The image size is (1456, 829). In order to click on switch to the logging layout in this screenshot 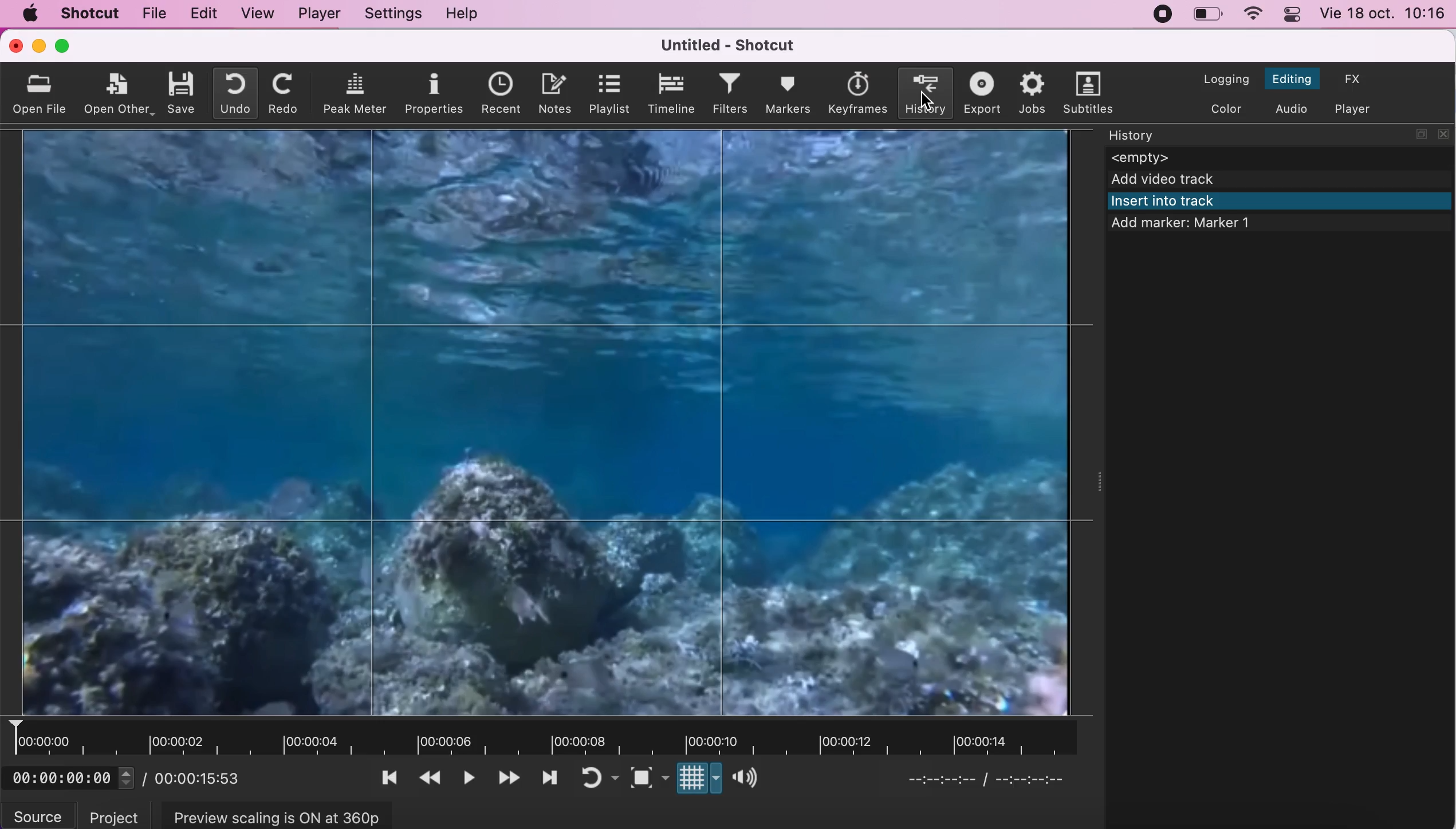, I will do `click(1224, 75)`.